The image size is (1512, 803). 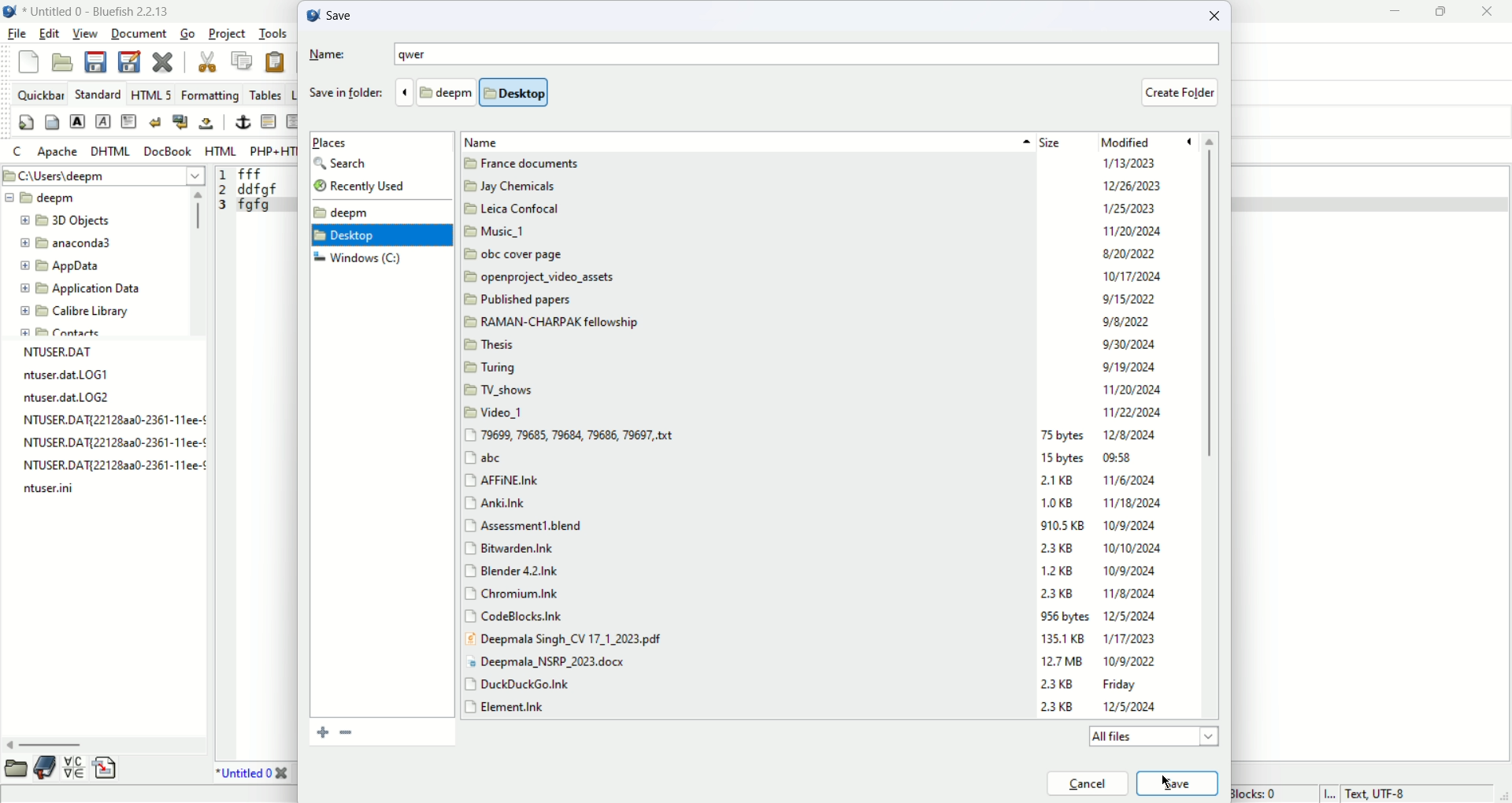 I want to click on copy, so click(x=242, y=59).